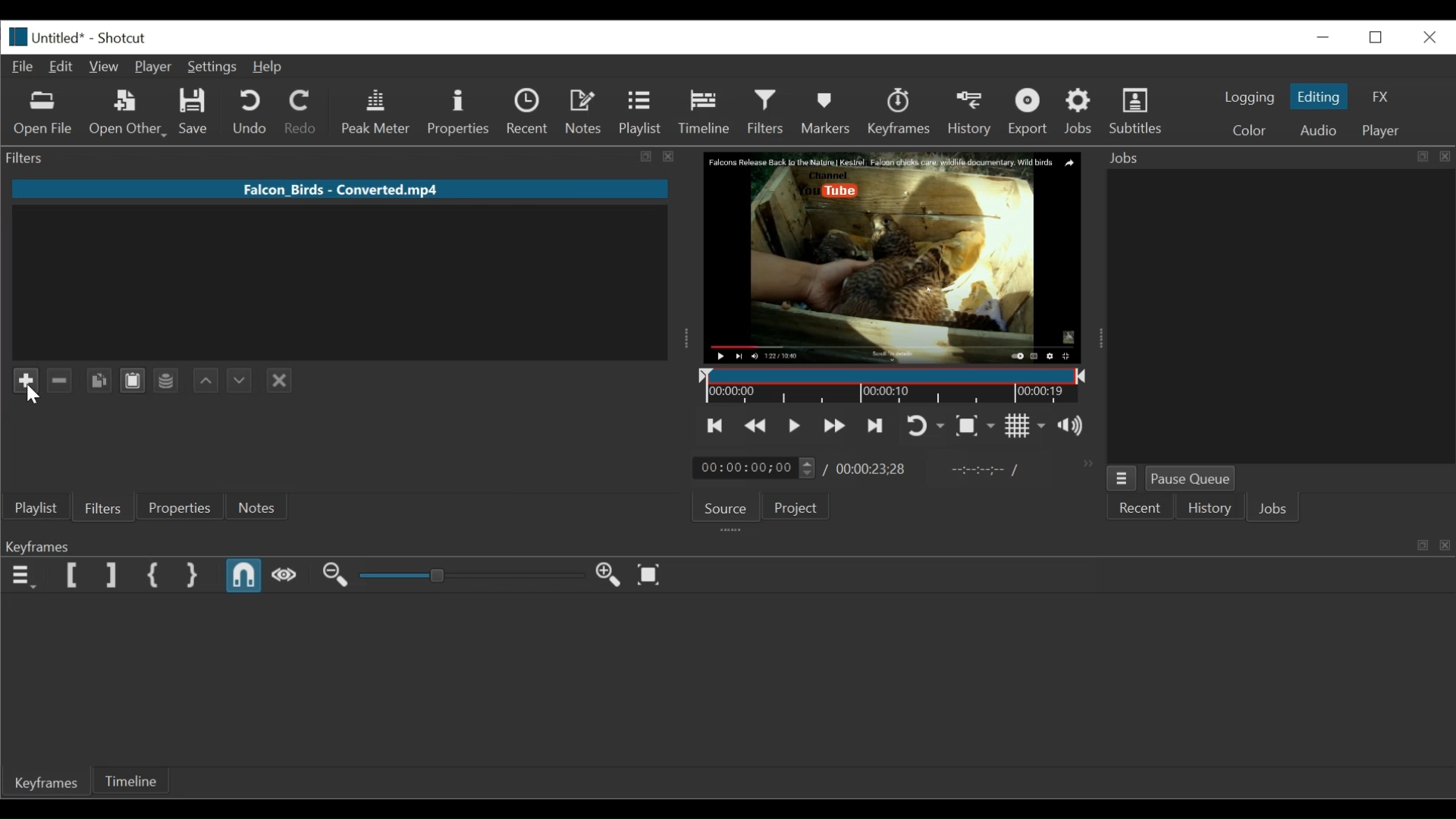 This screenshot has height=819, width=1456. What do you see at coordinates (99, 381) in the screenshot?
I see `Copy checked filters` at bounding box center [99, 381].